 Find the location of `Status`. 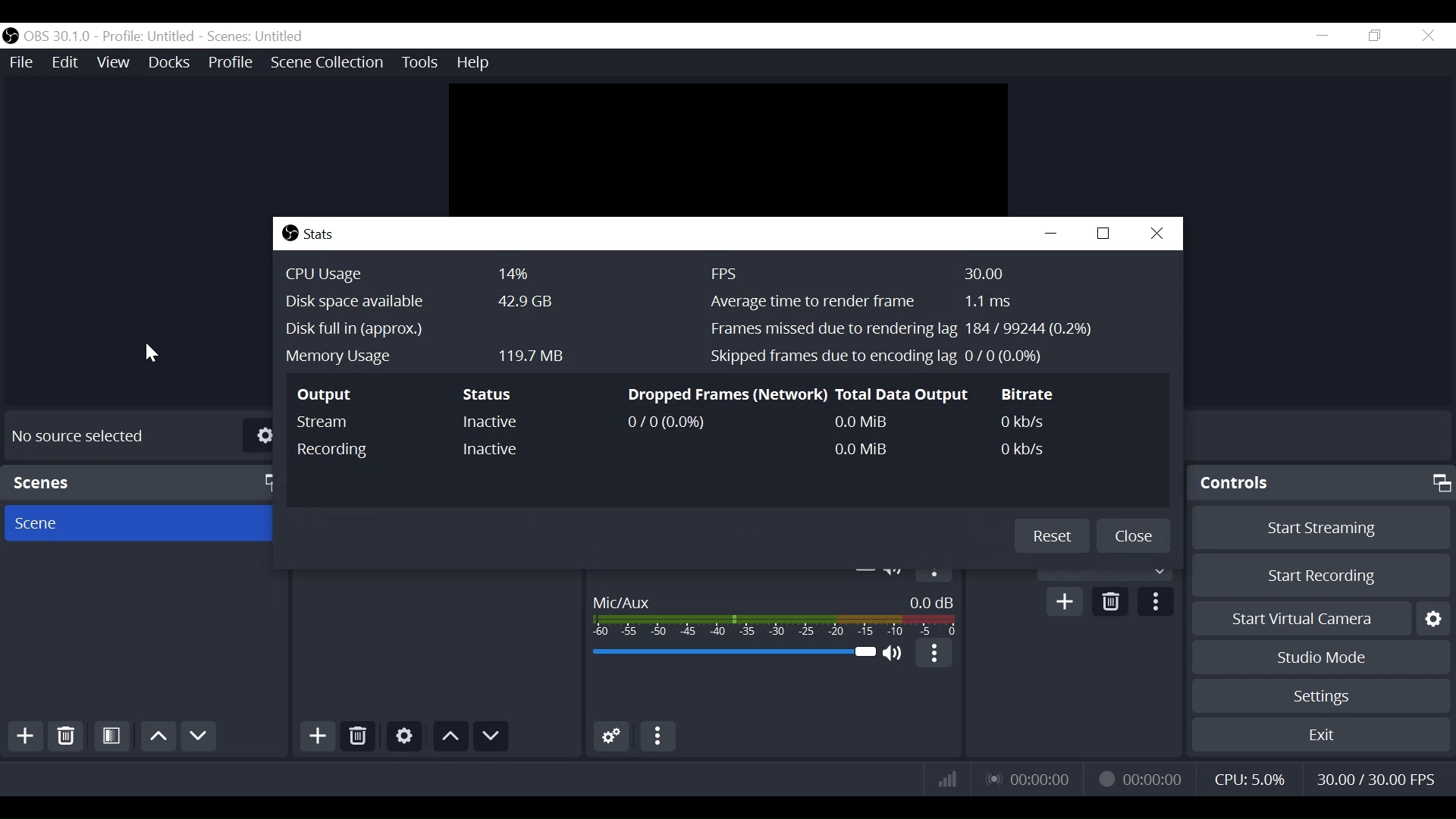

Status is located at coordinates (492, 393).